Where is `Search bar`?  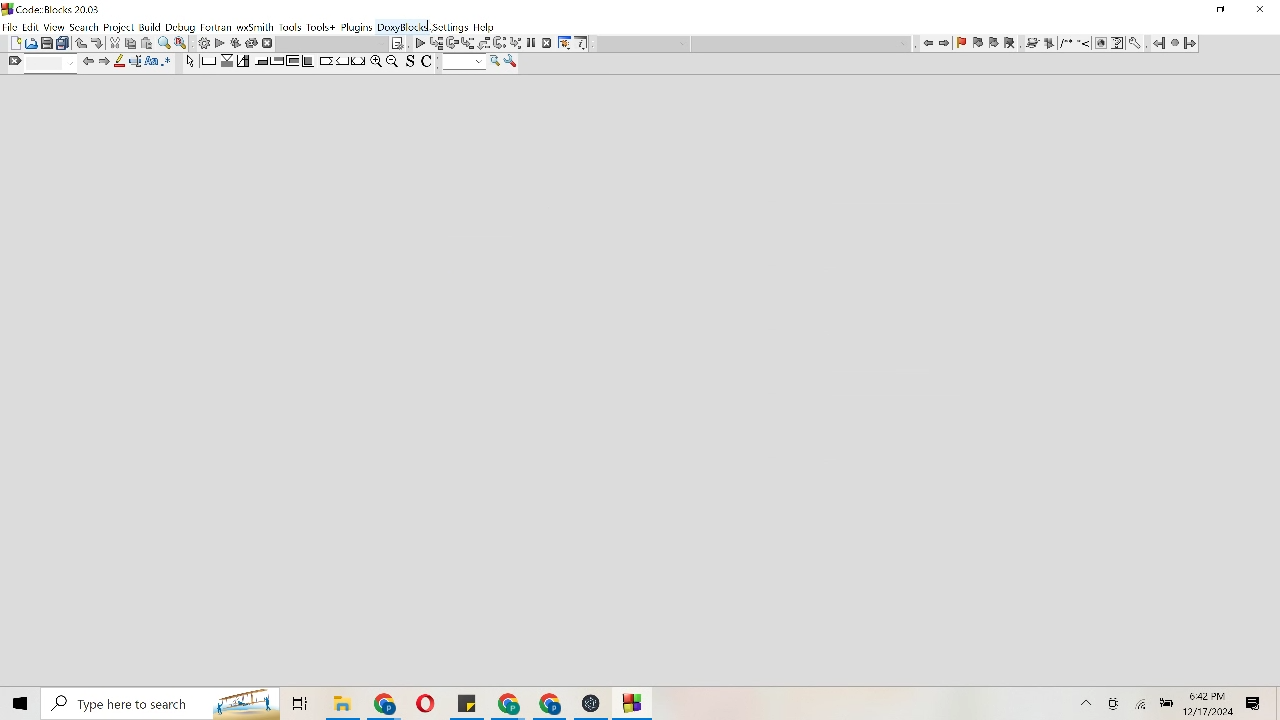
Search bar is located at coordinates (159, 704).